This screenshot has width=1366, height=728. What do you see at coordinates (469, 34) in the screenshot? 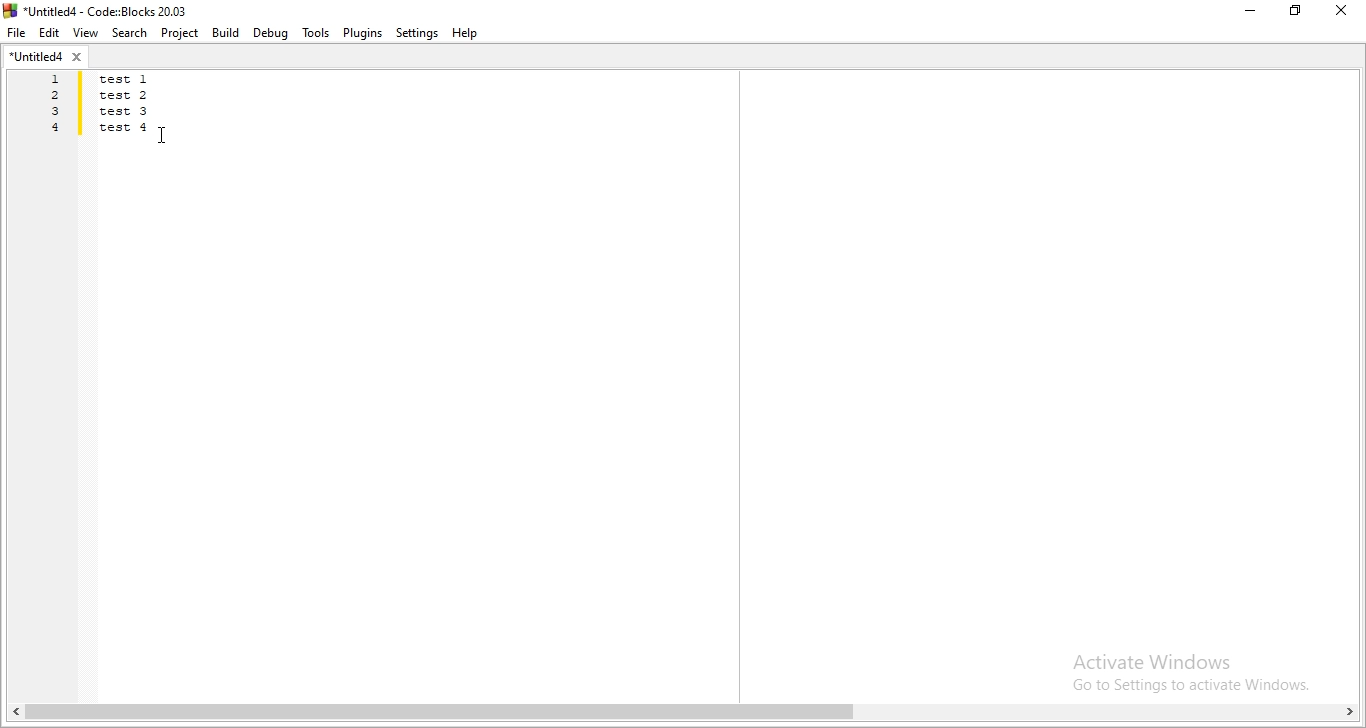
I see `Help` at bounding box center [469, 34].